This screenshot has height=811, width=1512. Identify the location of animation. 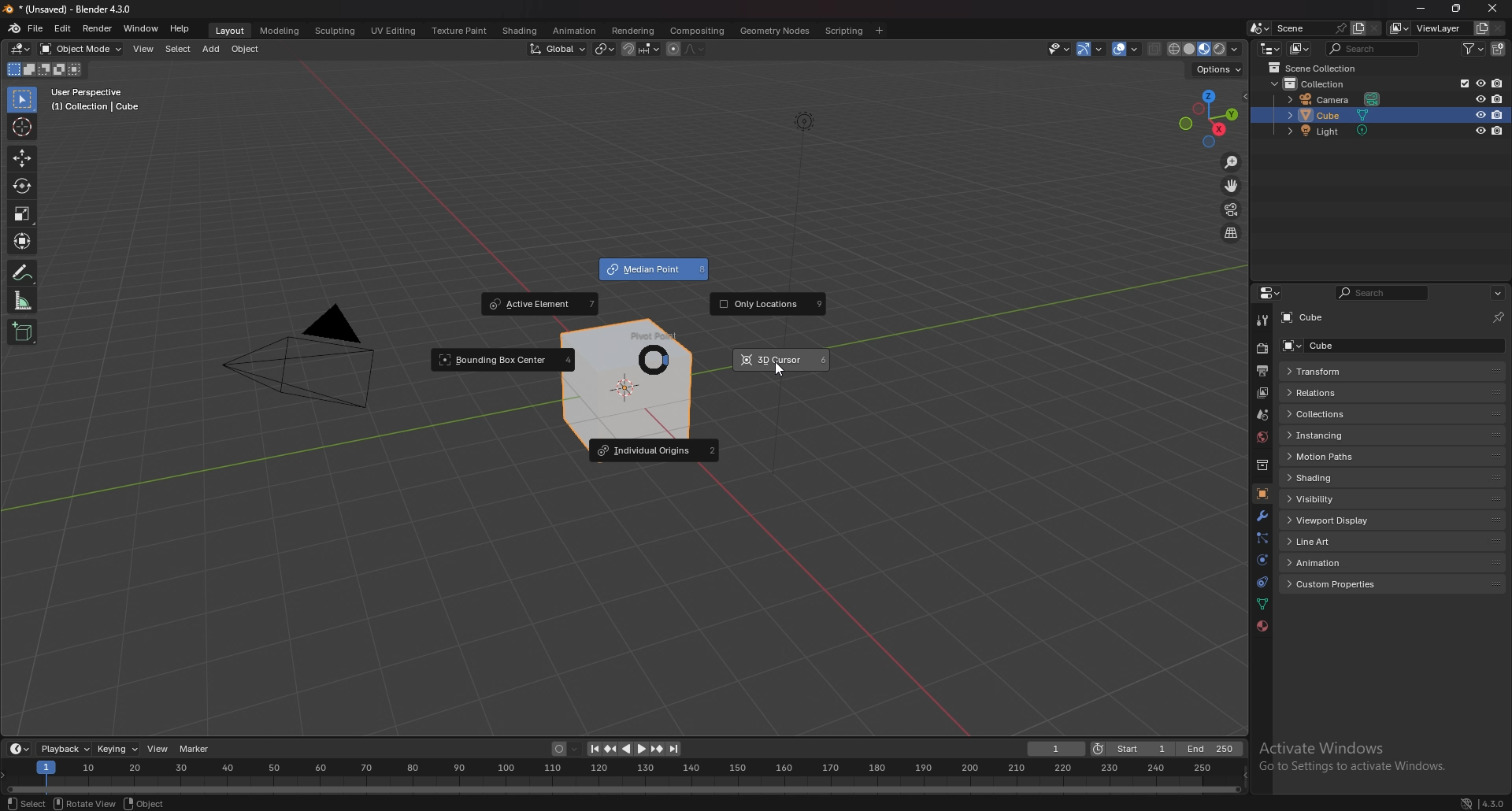
(575, 31).